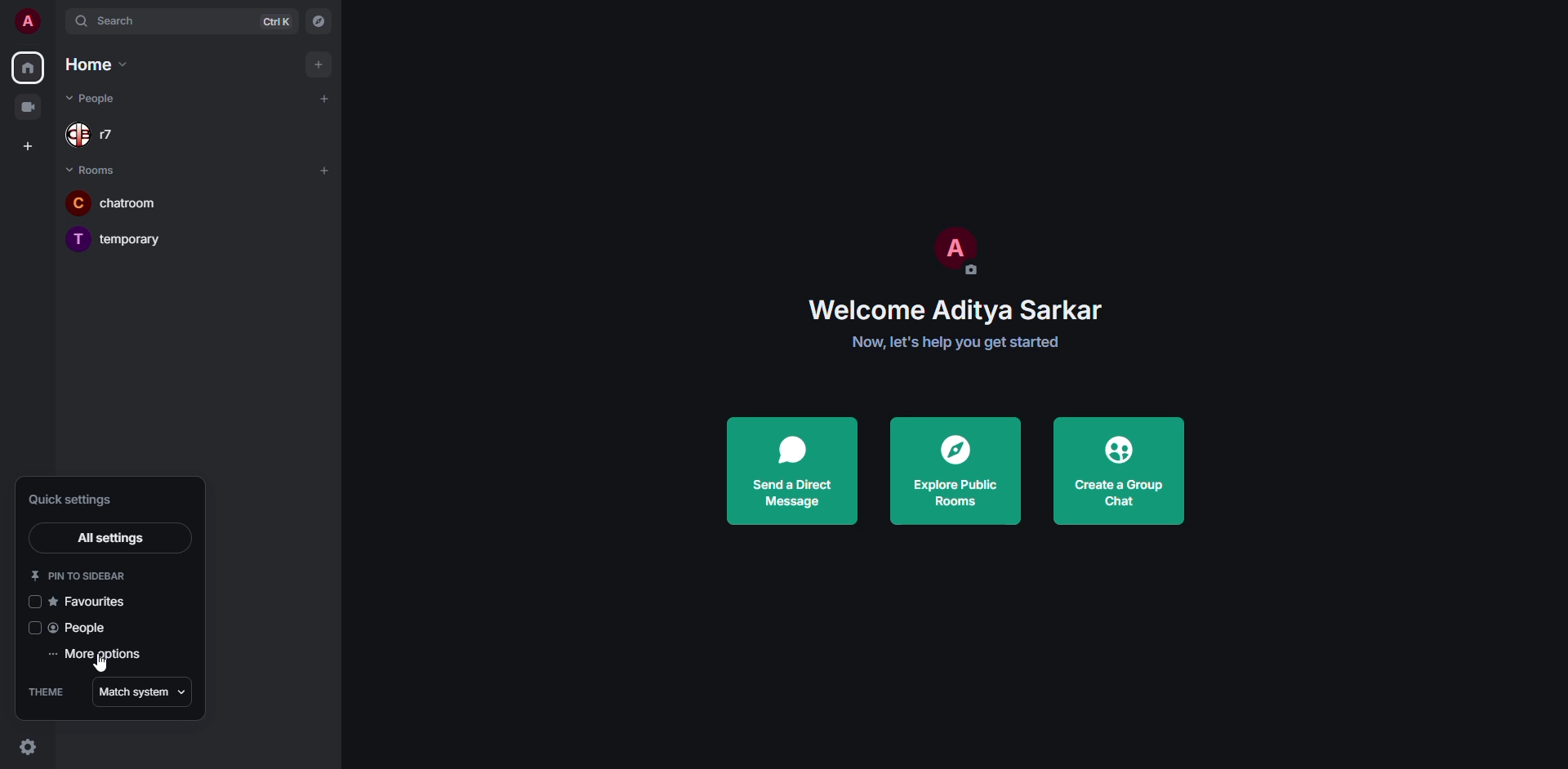 This screenshot has height=769, width=1568. What do you see at coordinates (795, 469) in the screenshot?
I see `send a direct message` at bounding box center [795, 469].